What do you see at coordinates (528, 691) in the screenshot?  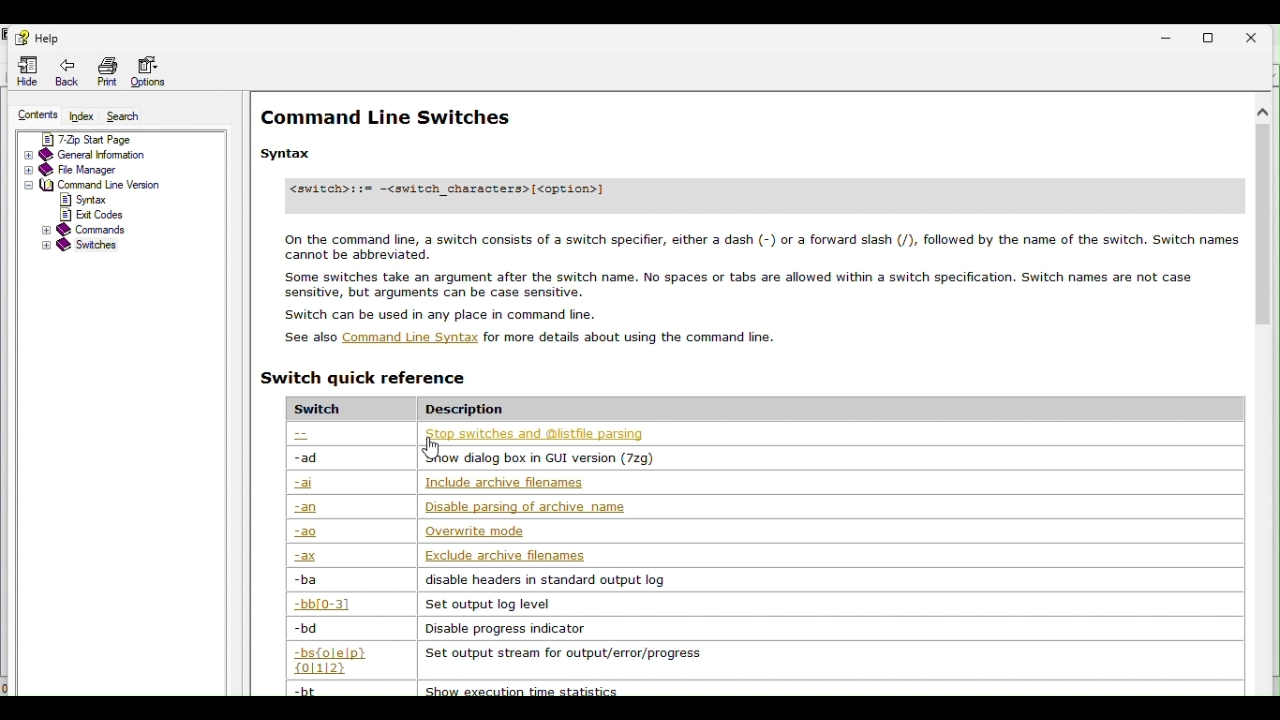 I see `| chow guacatinn time gratiatica` at bounding box center [528, 691].